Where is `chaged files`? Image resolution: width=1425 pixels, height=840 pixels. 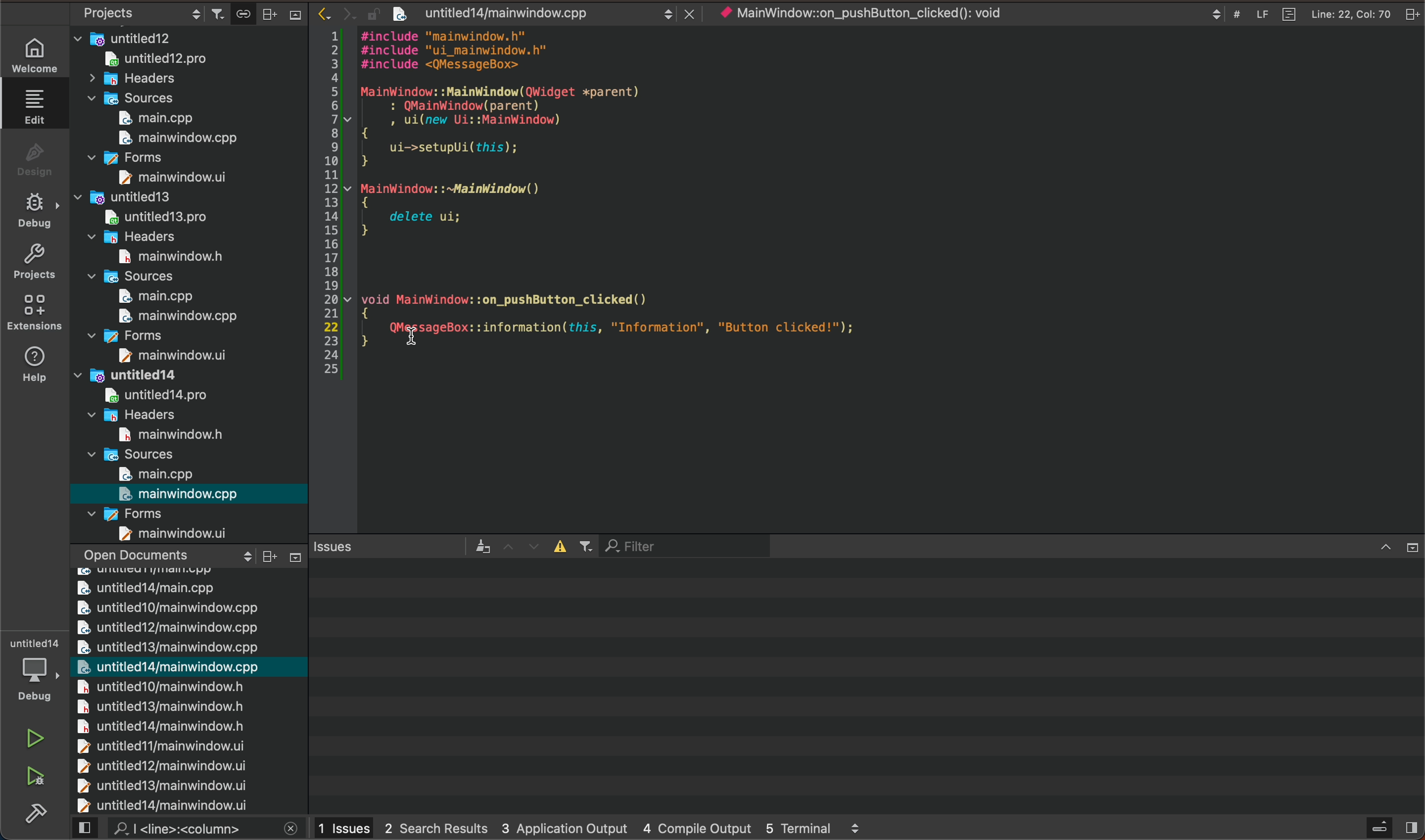
chaged files is located at coordinates (188, 691).